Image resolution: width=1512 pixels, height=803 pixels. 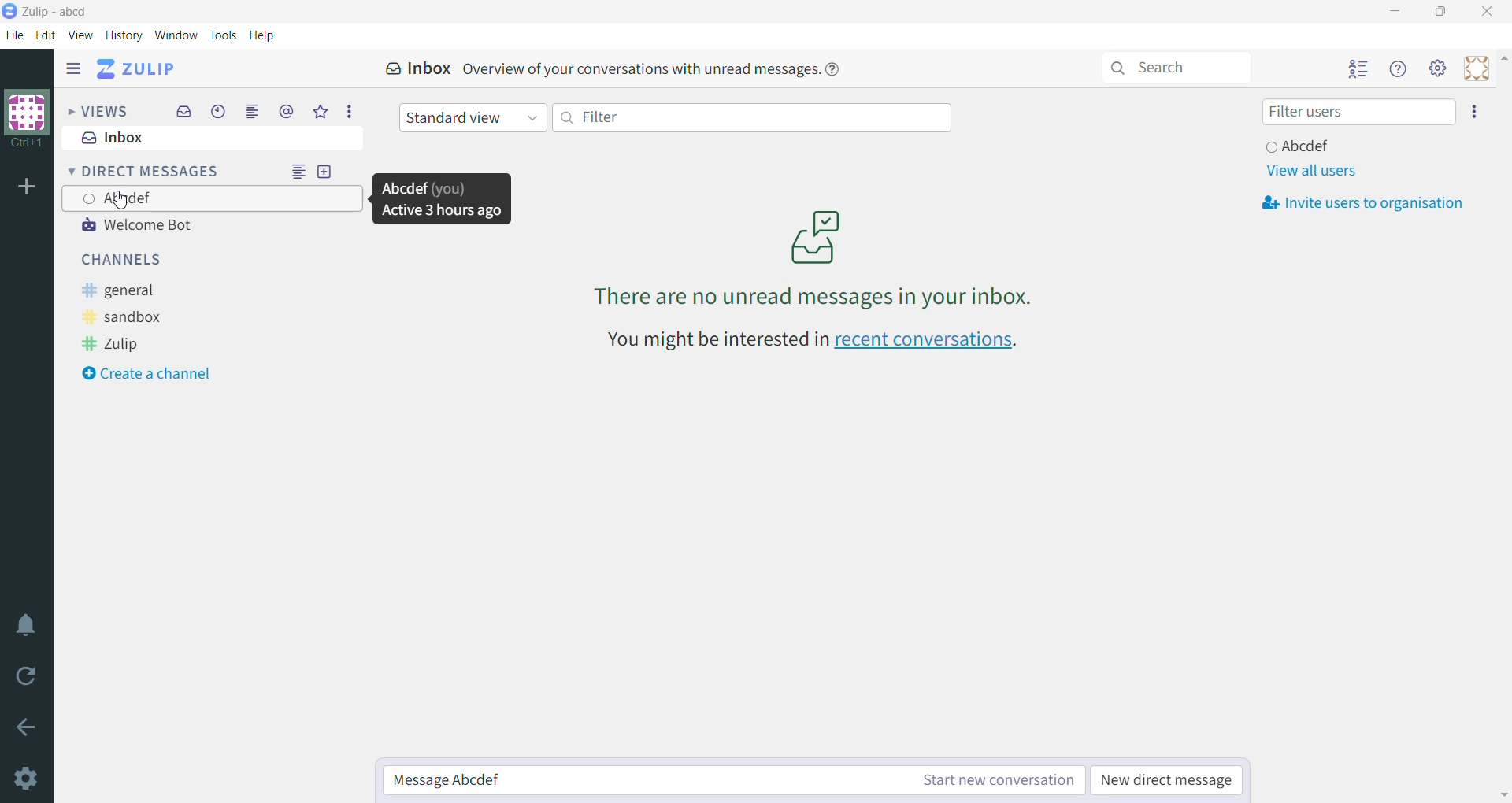 I want to click on User, so click(x=213, y=198).